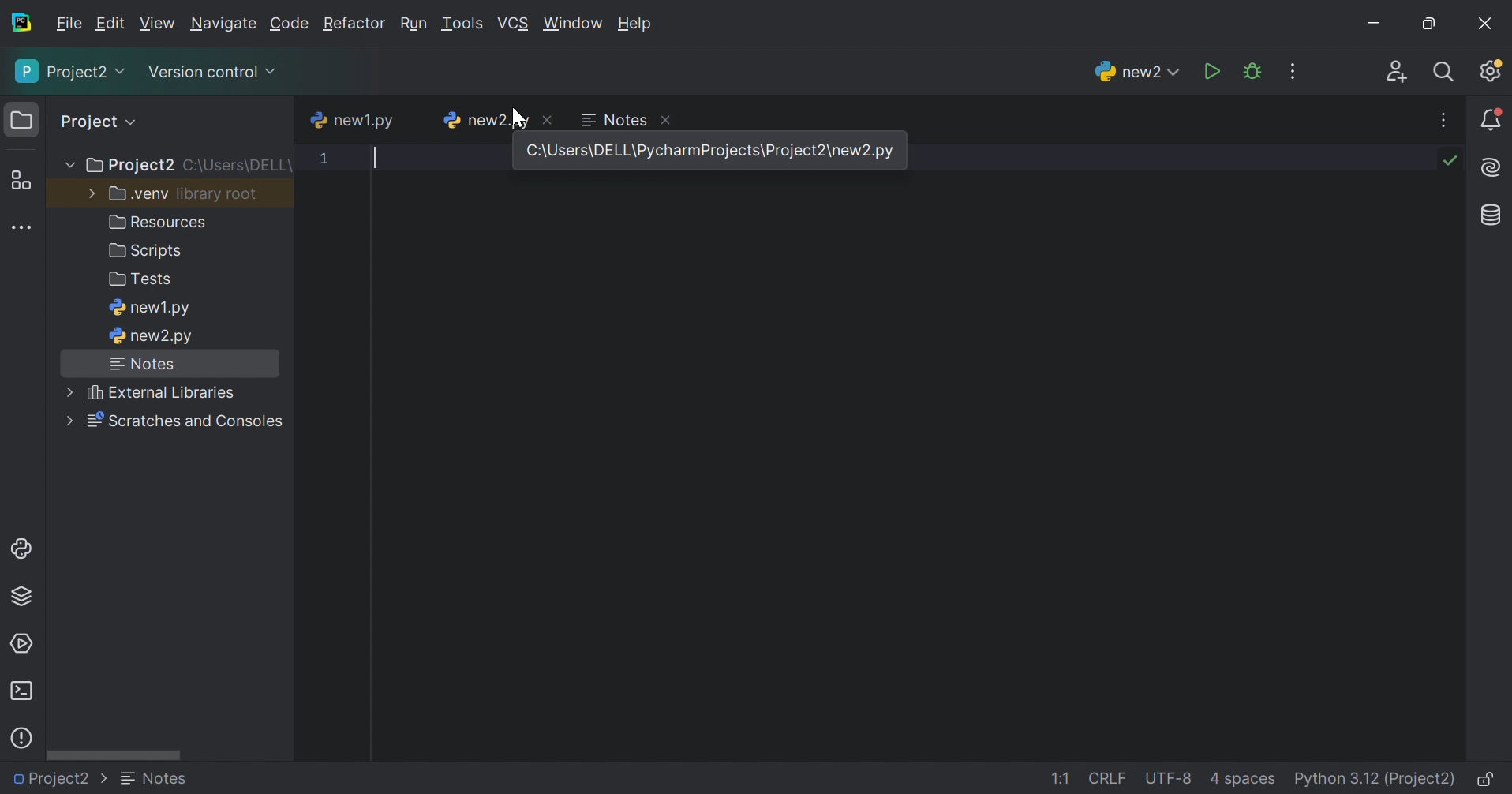 The image size is (1512, 794). Describe the element at coordinates (354, 25) in the screenshot. I see `Refactor` at that location.